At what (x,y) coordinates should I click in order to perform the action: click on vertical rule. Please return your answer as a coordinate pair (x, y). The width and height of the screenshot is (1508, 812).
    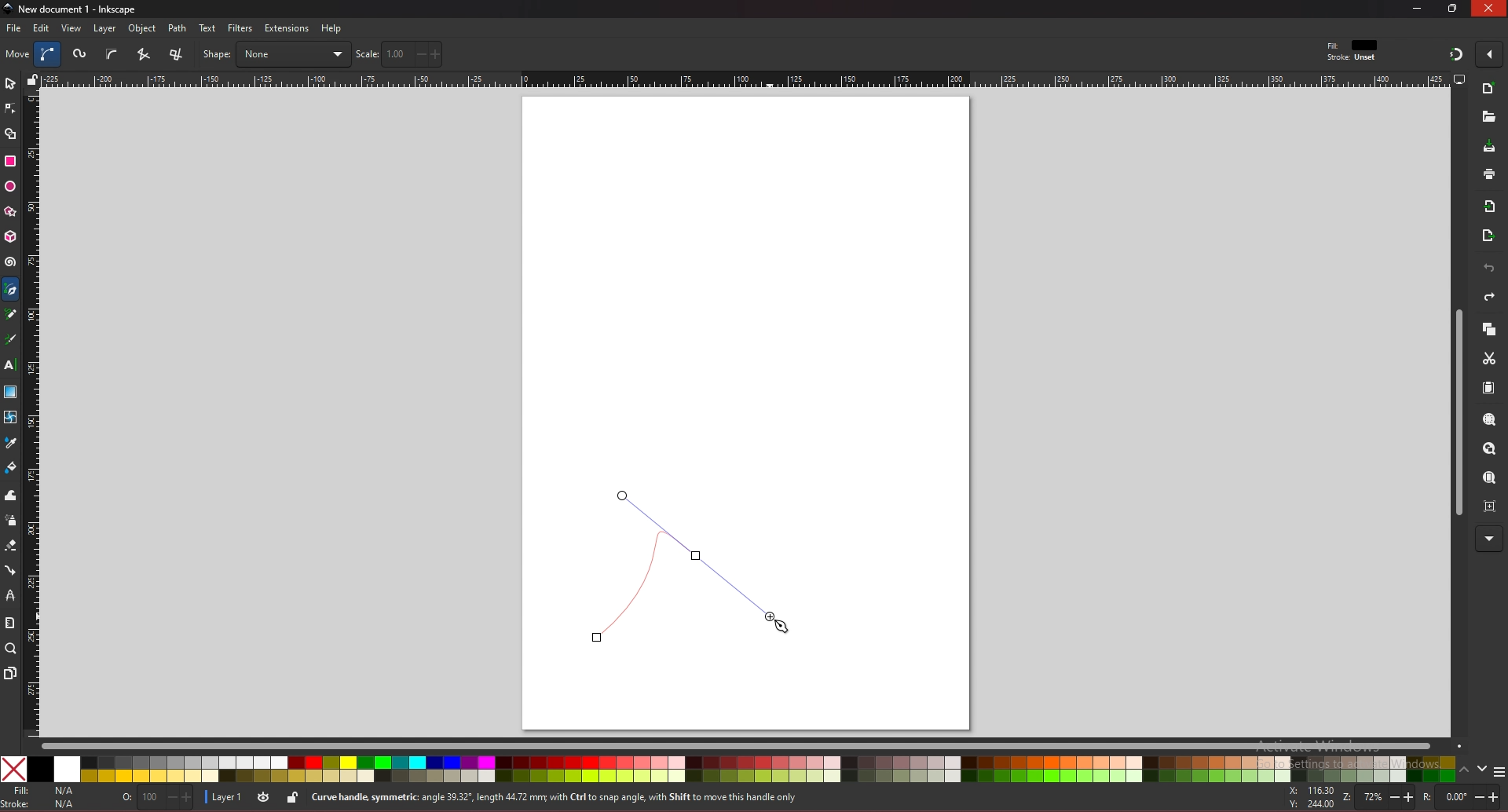
    Looking at the image, I should click on (31, 415).